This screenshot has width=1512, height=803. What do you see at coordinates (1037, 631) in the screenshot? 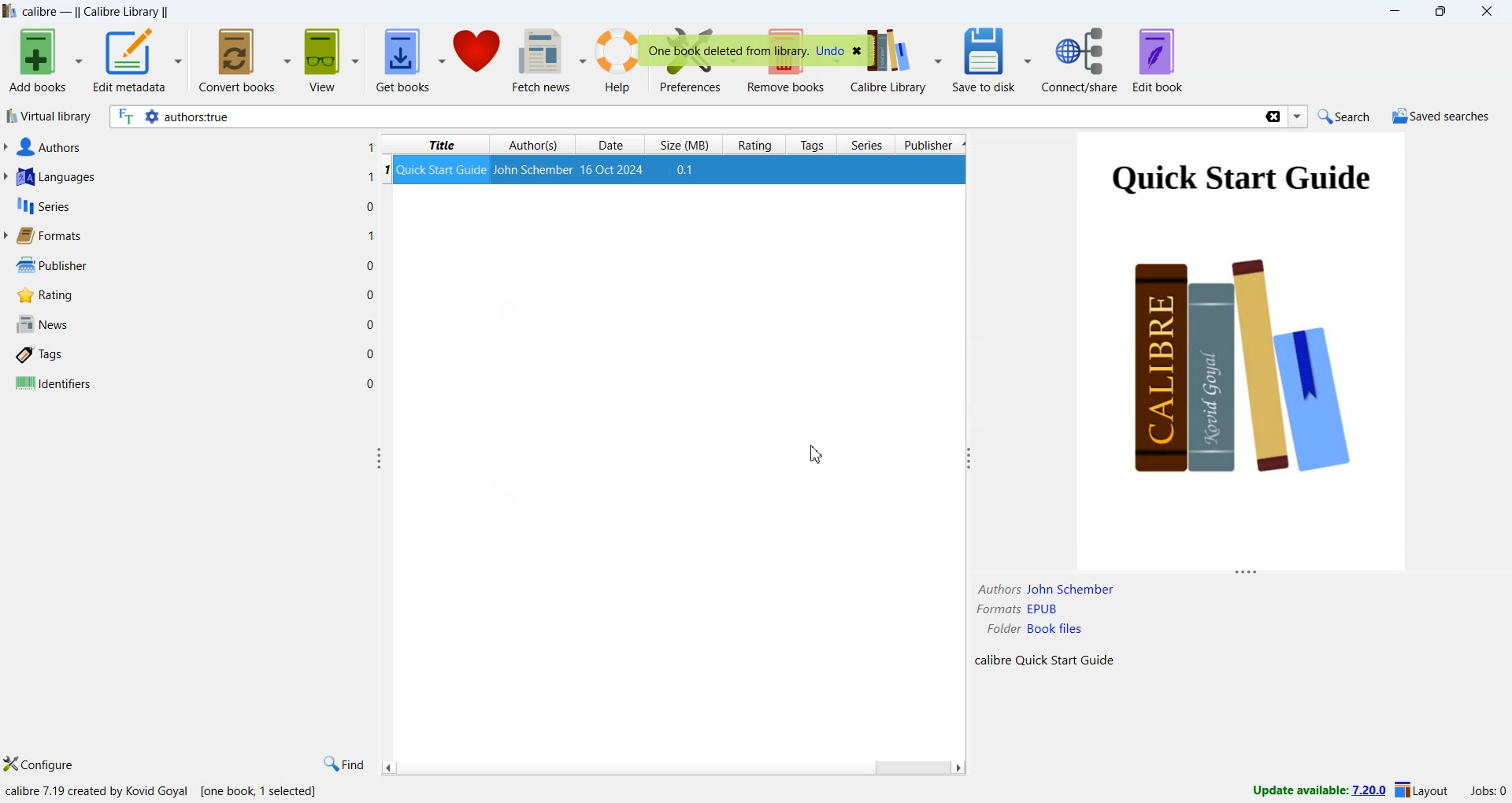
I see `file location` at bounding box center [1037, 631].